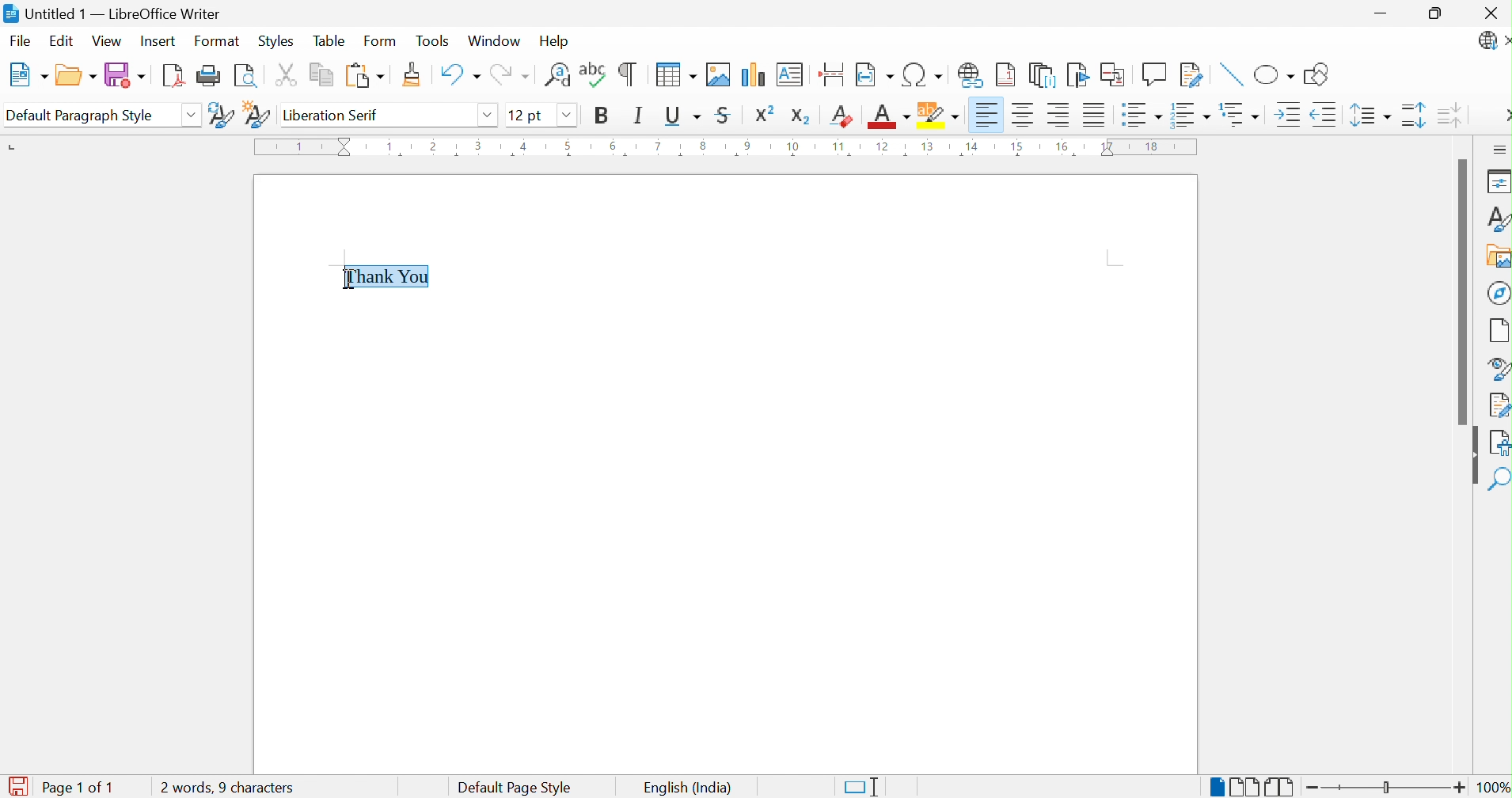 The image size is (1512, 798). I want to click on Ruler, so click(724, 149).